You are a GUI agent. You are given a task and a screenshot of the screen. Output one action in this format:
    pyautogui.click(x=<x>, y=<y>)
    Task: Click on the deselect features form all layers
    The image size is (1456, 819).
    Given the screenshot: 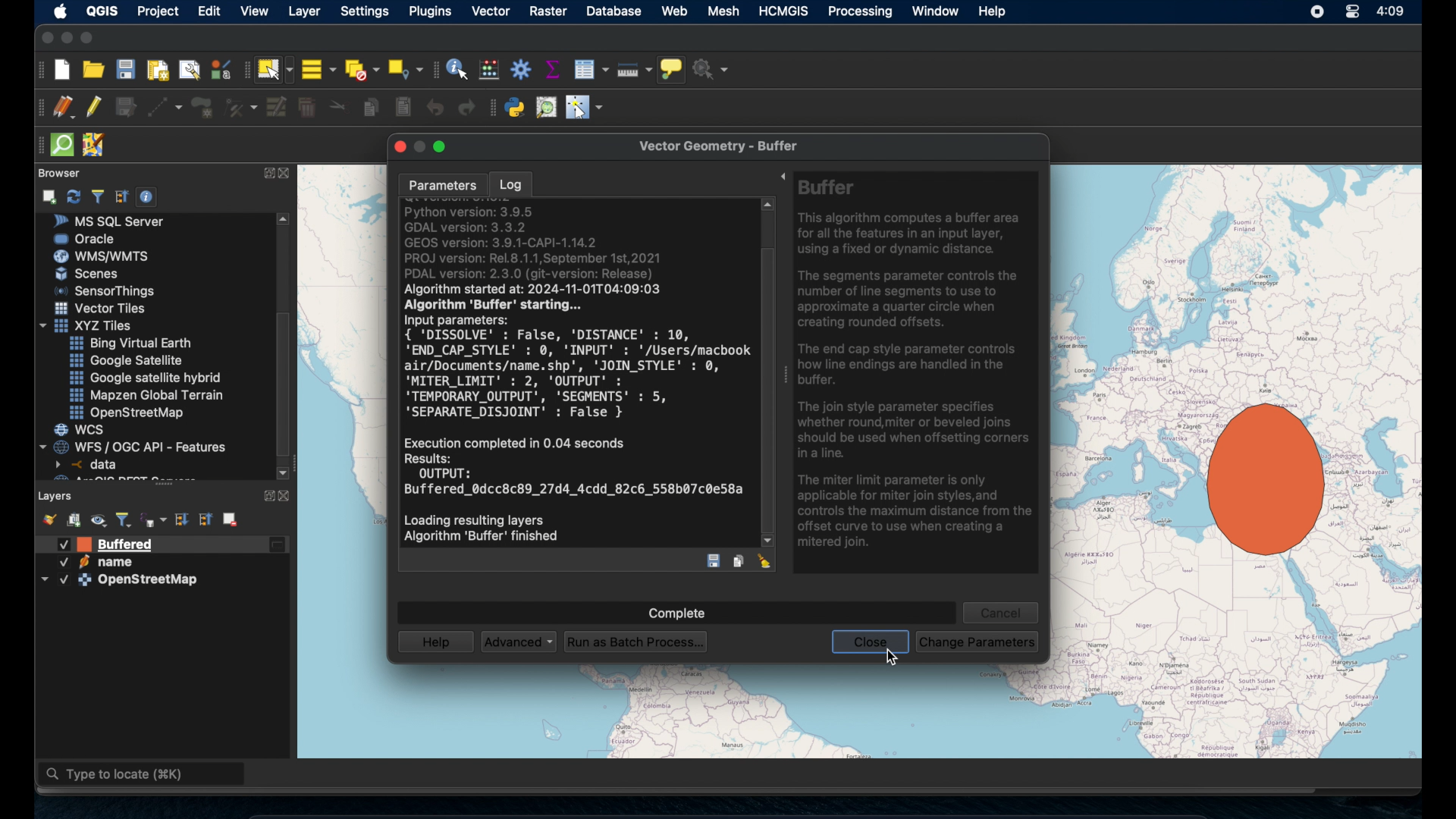 What is the action you would take?
    pyautogui.click(x=363, y=69)
    